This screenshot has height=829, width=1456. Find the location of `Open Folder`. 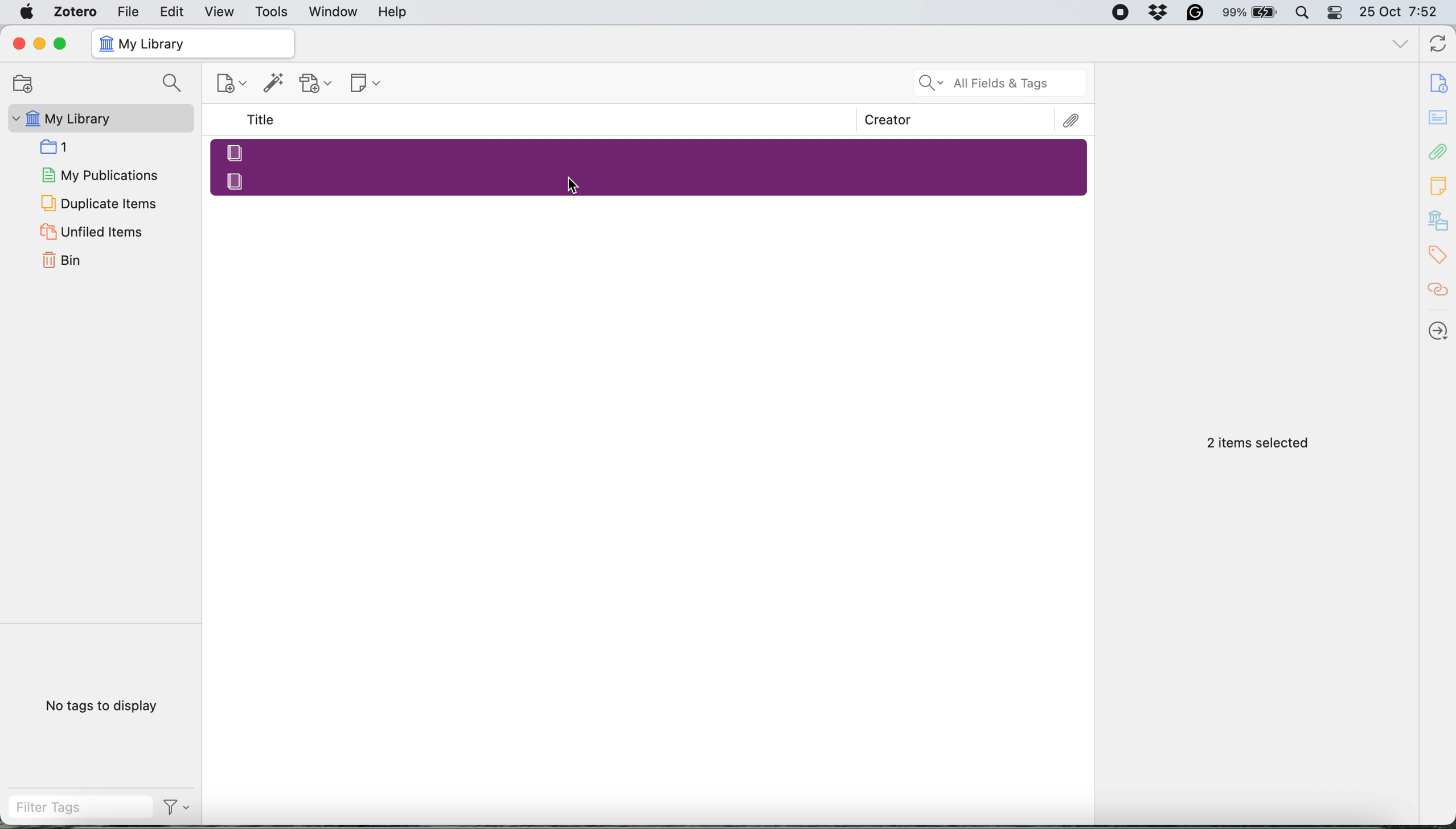

Open Folder is located at coordinates (21, 83).